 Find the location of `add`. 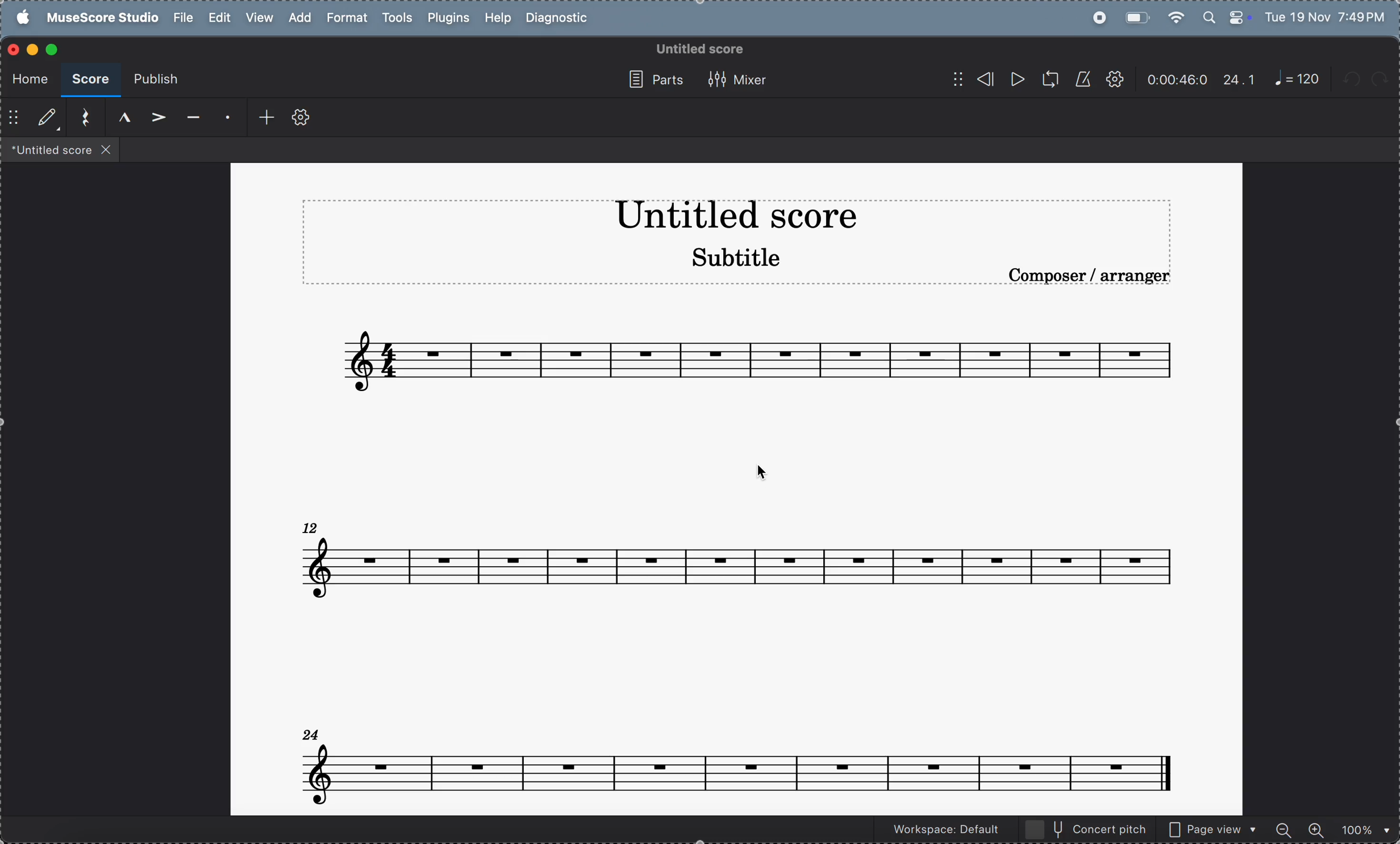

add is located at coordinates (260, 118).